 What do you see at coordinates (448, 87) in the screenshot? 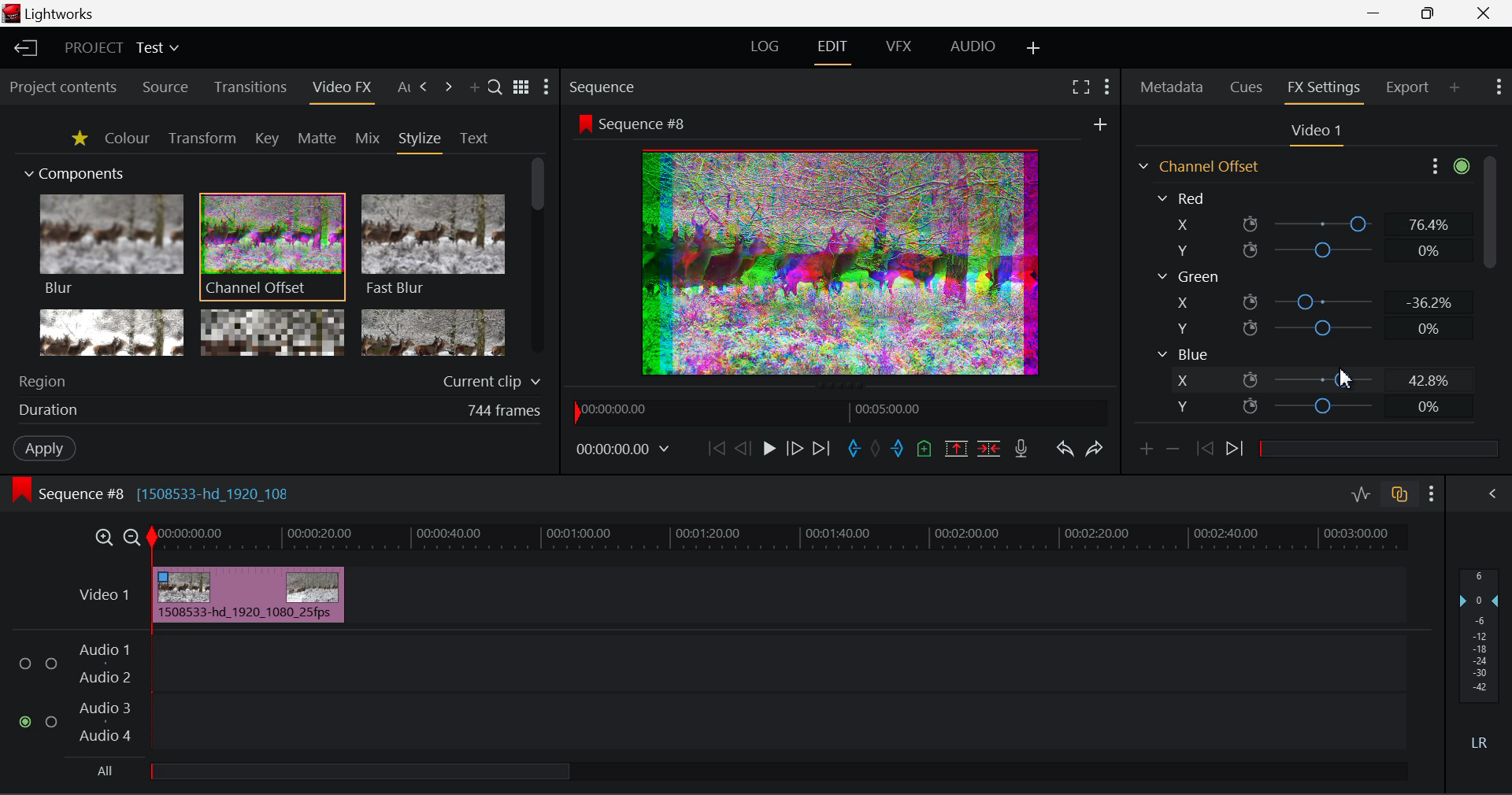
I see `Next Tab` at bounding box center [448, 87].